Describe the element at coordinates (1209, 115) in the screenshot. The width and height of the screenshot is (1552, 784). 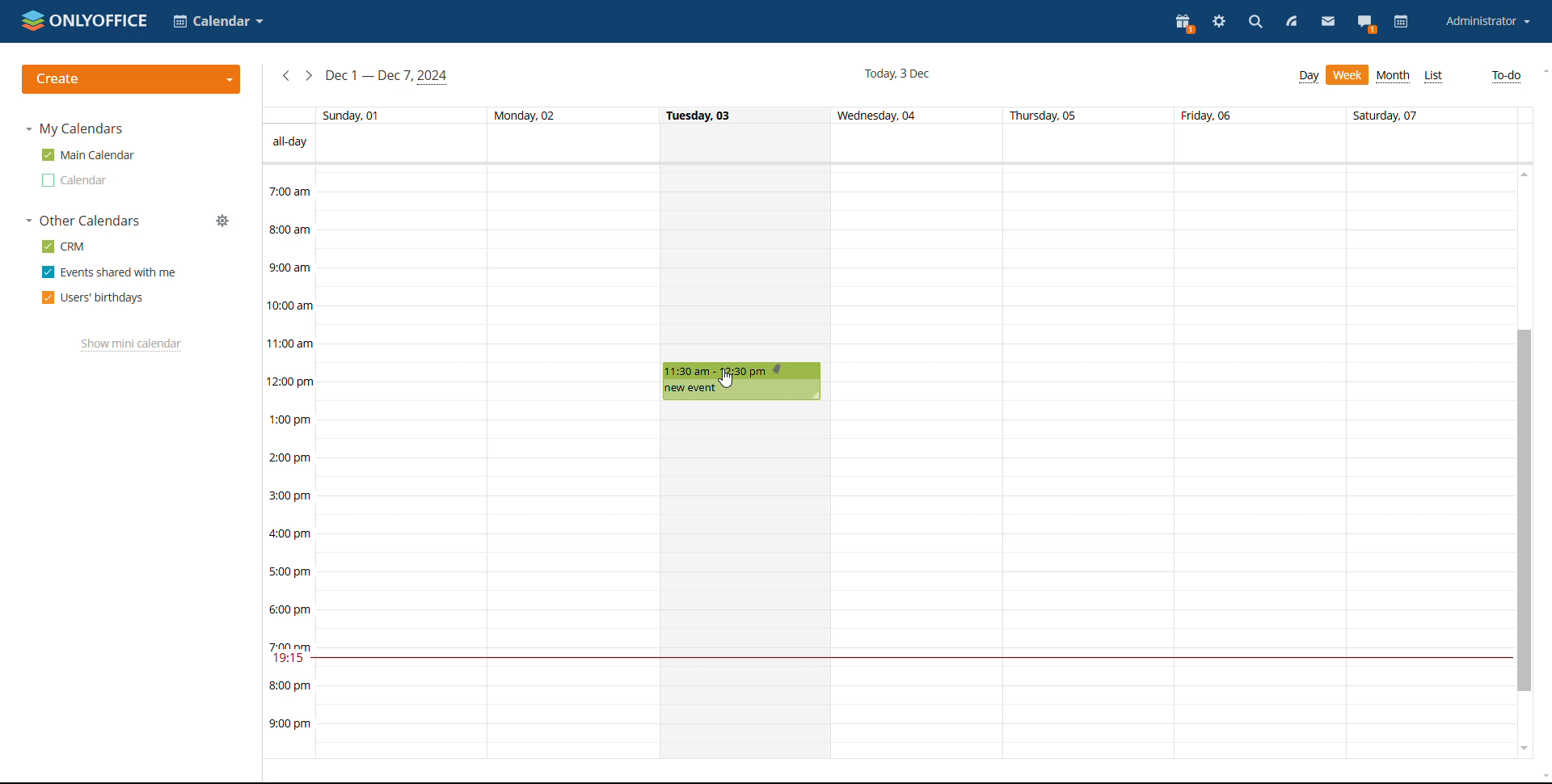
I see `Friday, 06` at that location.